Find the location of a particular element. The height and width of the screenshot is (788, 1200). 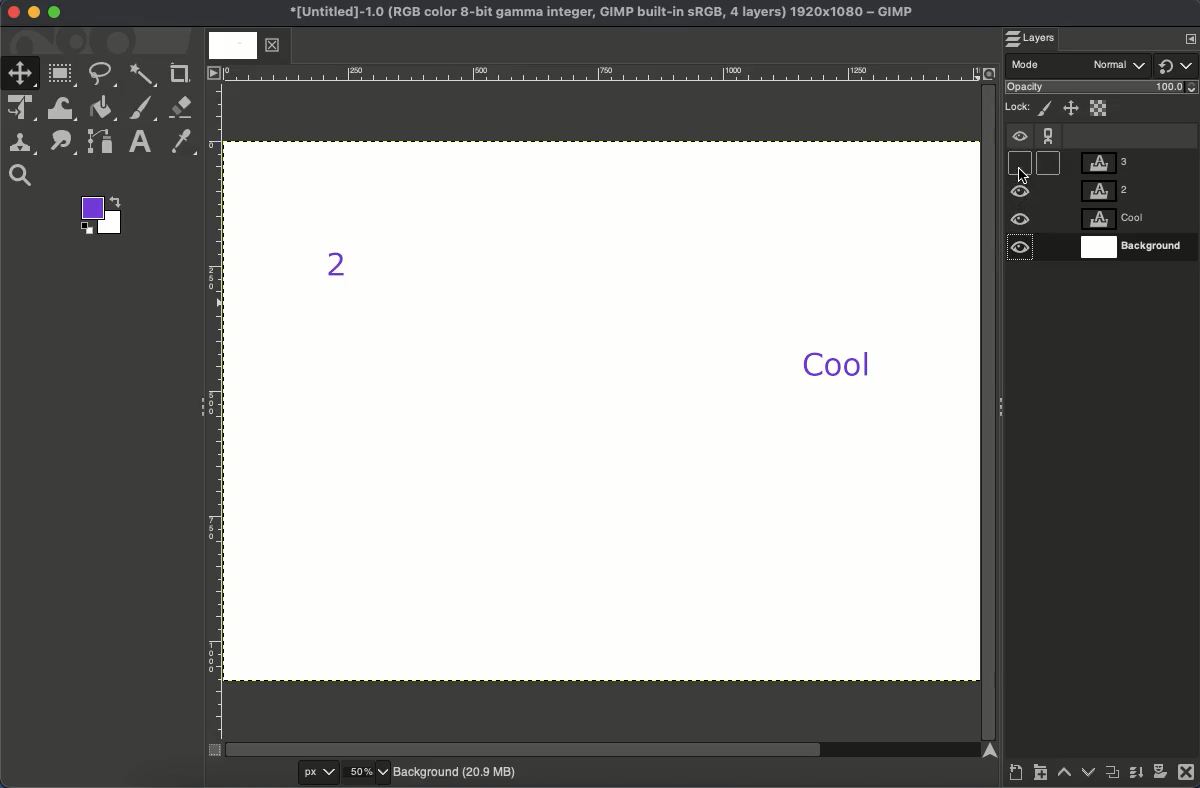

Layers is located at coordinates (1039, 39).